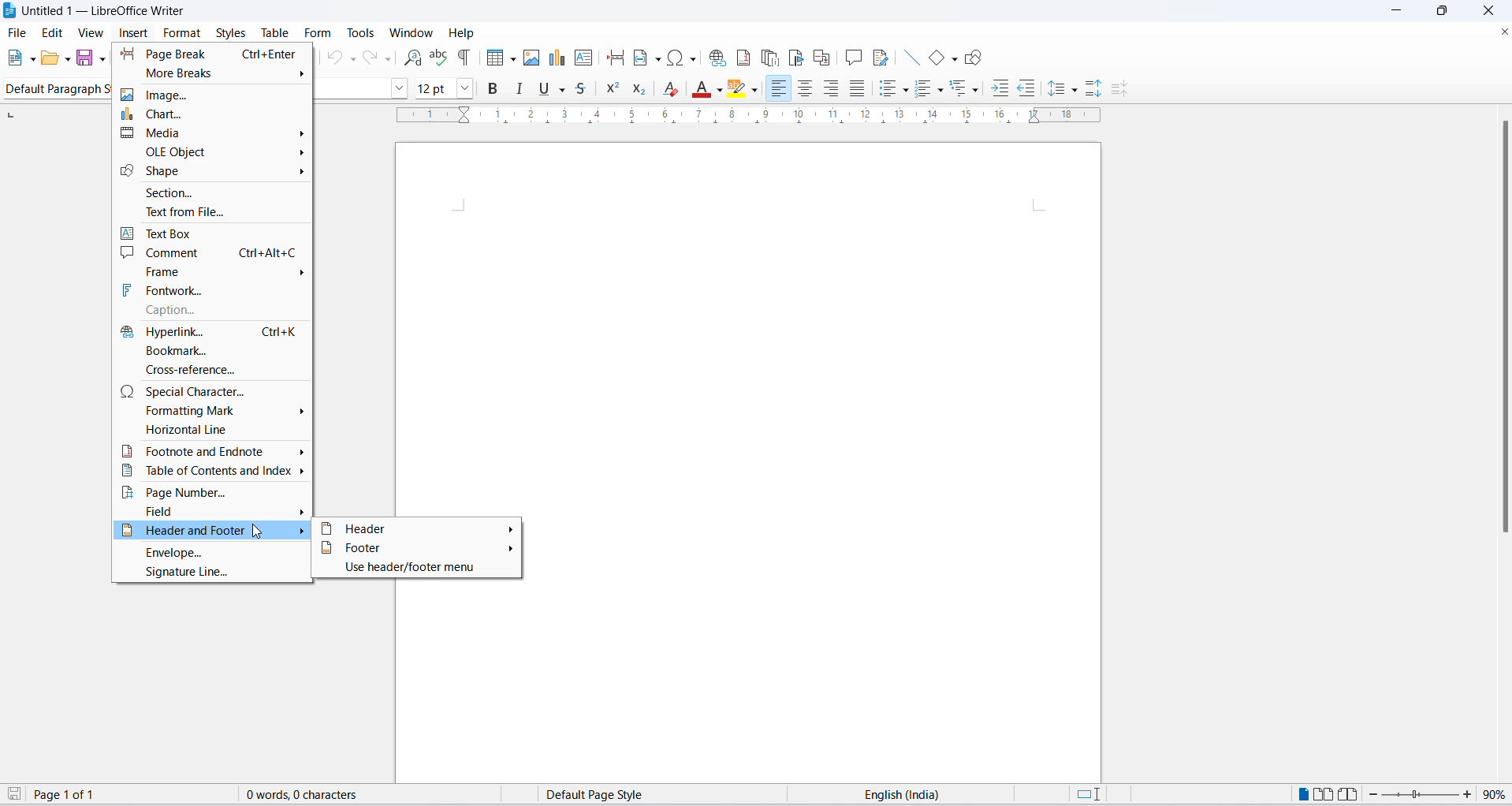  What do you see at coordinates (54, 32) in the screenshot?
I see `edit` at bounding box center [54, 32].